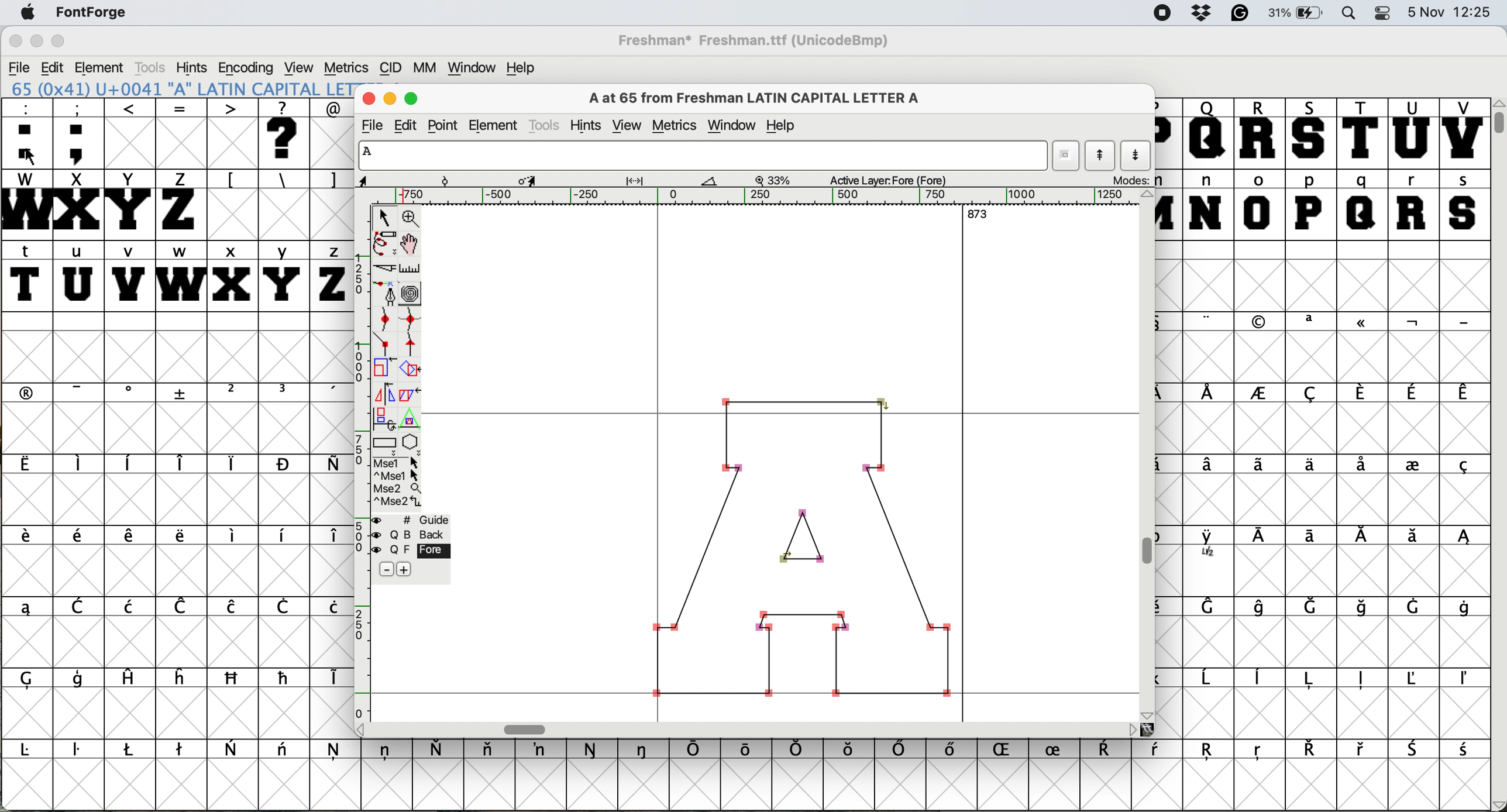 This screenshot has height=812, width=1507. What do you see at coordinates (180, 536) in the screenshot?
I see `symbol` at bounding box center [180, 536].